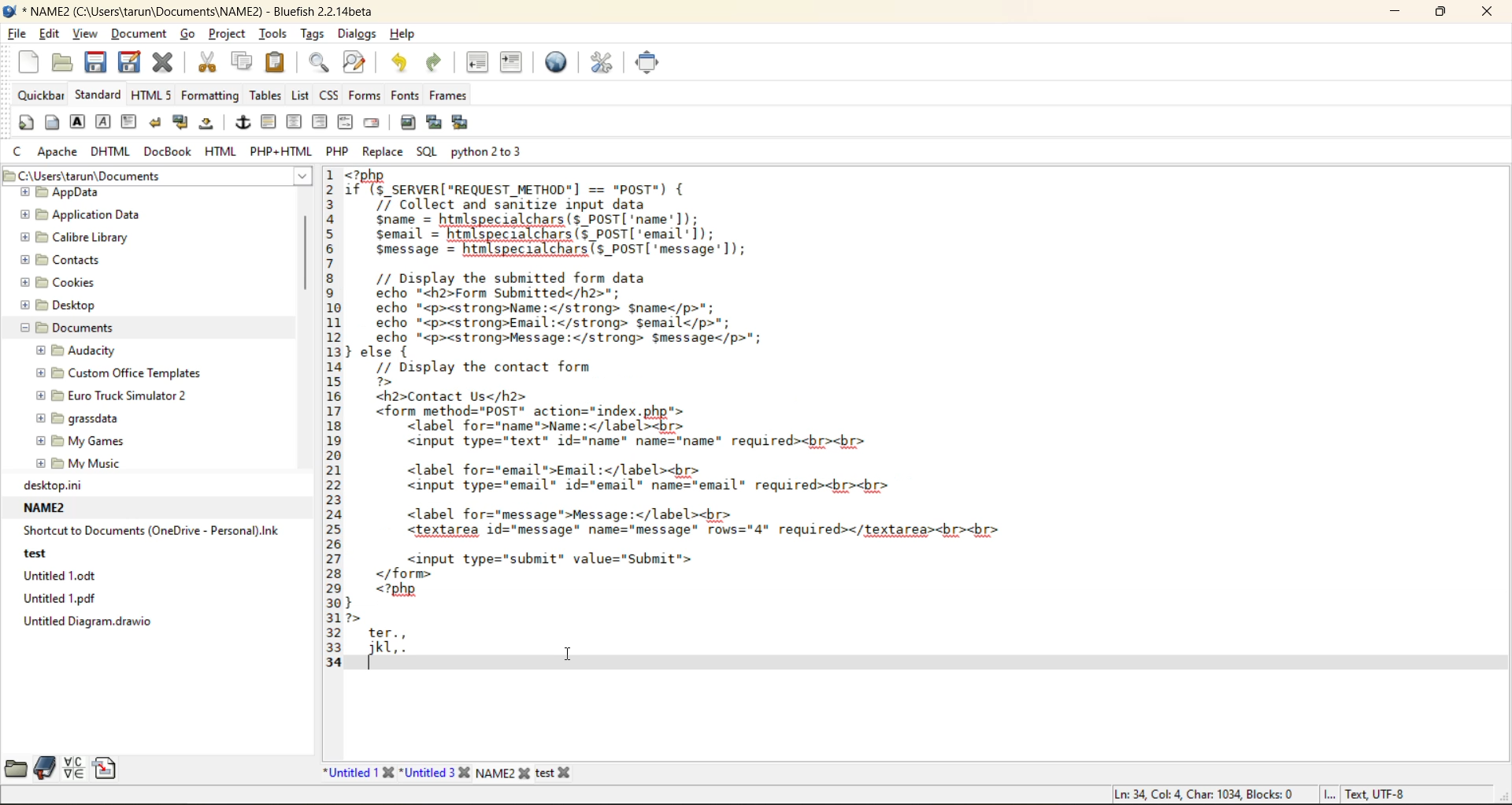 The width and height of the screenshot is (1512, 805). I want to click on My Games, so click(76, 441).